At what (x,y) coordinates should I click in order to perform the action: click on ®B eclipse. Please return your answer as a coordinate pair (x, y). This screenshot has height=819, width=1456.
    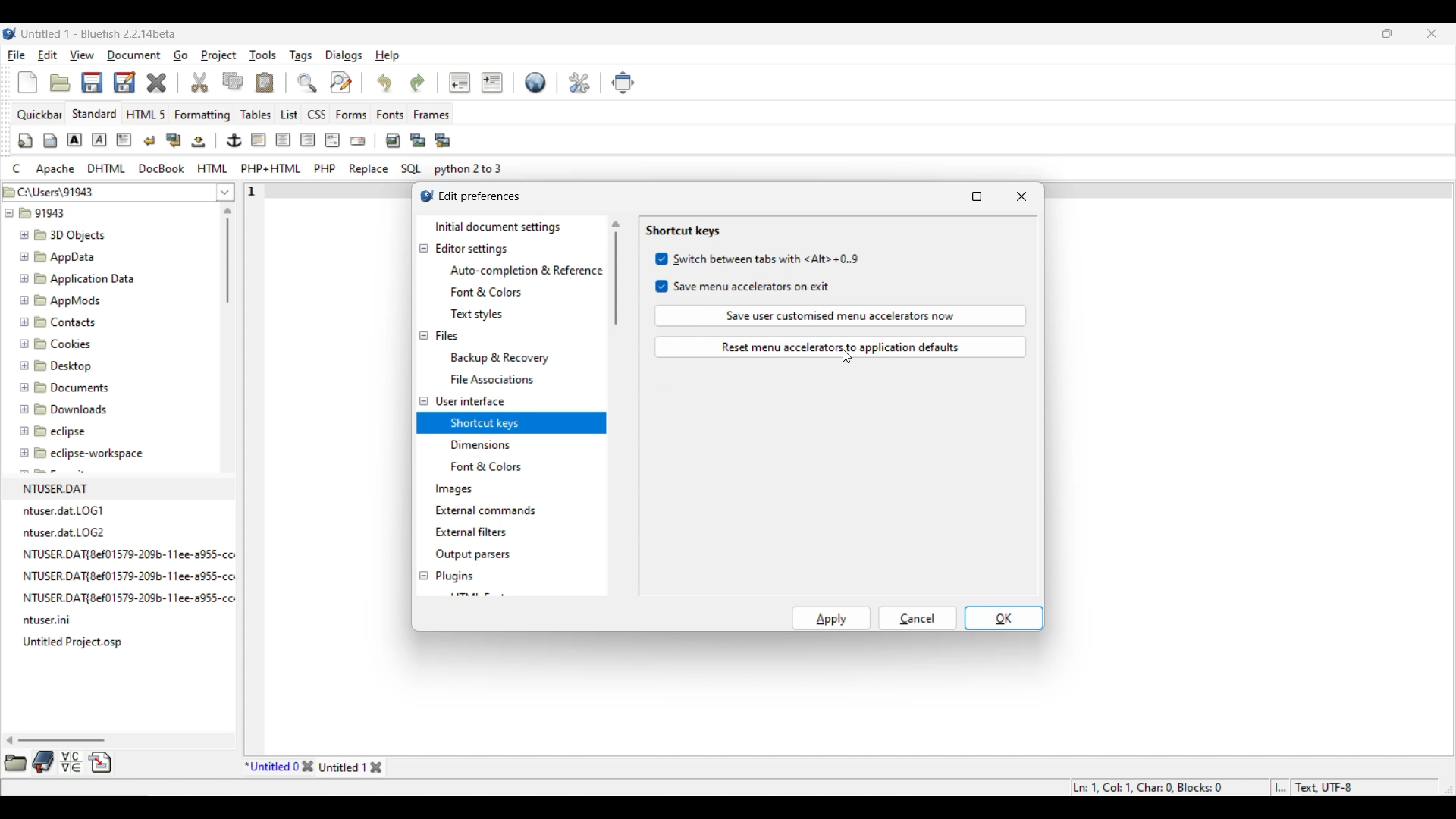
    Looking at the image, I should click on (53, 431).